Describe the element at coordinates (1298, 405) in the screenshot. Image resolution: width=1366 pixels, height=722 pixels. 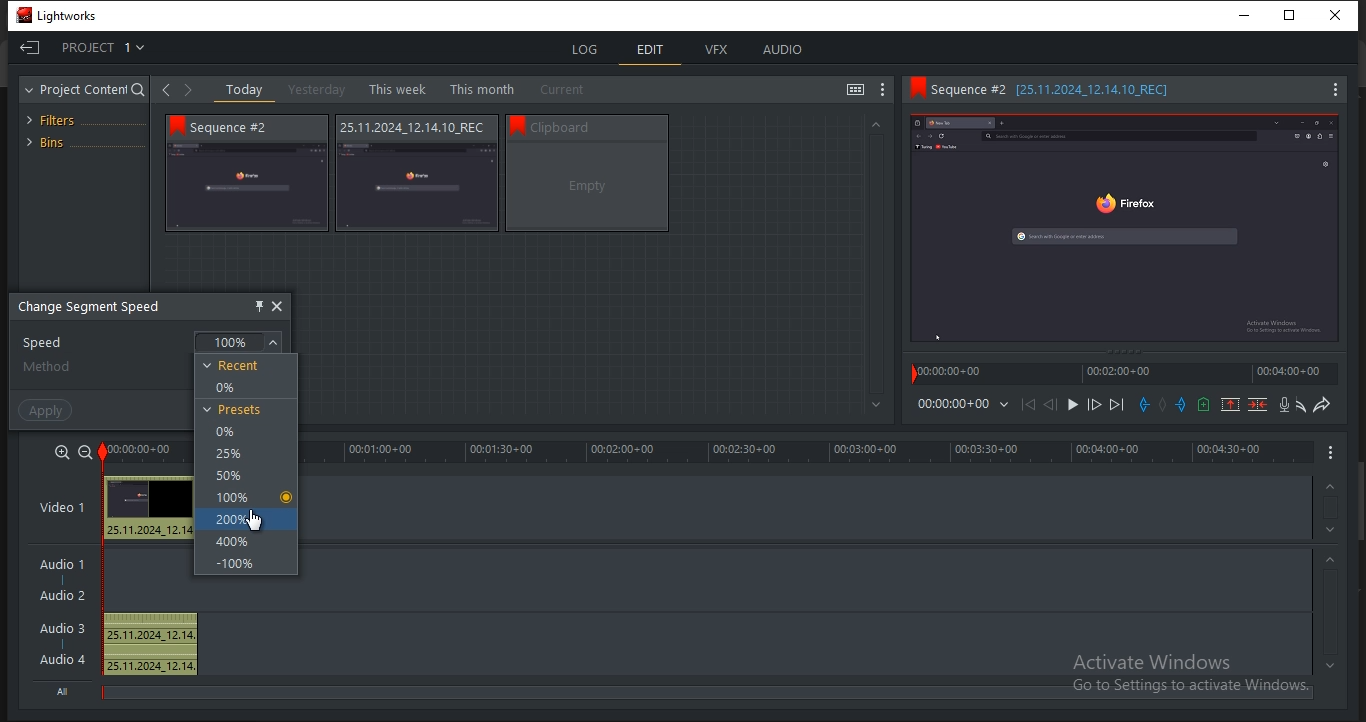
I see `undo` at that location.